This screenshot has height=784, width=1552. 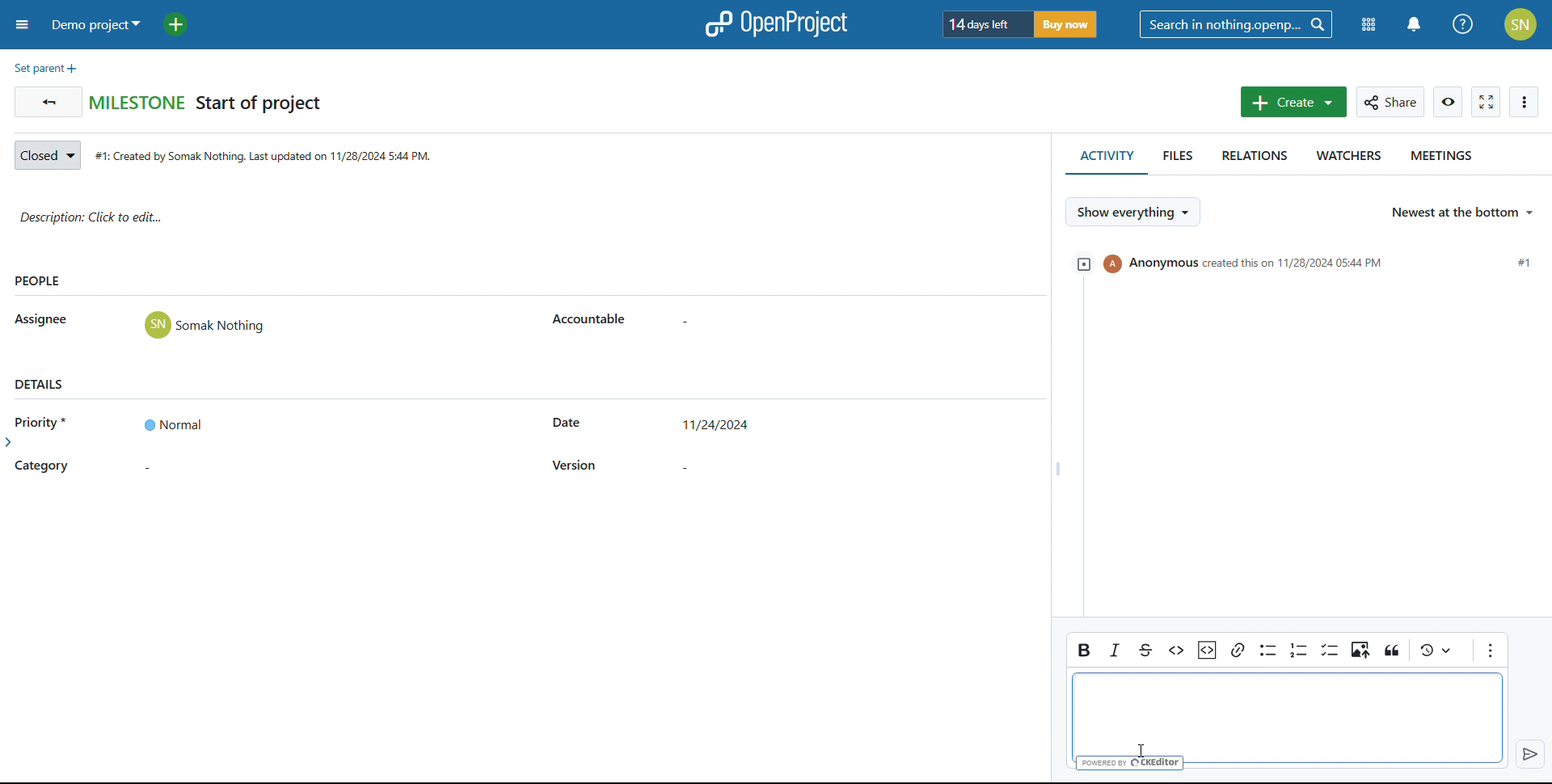 What do you see at coordinates (181, 24) in the screenshot?
I see `add project` at bounding box center [181, 24].